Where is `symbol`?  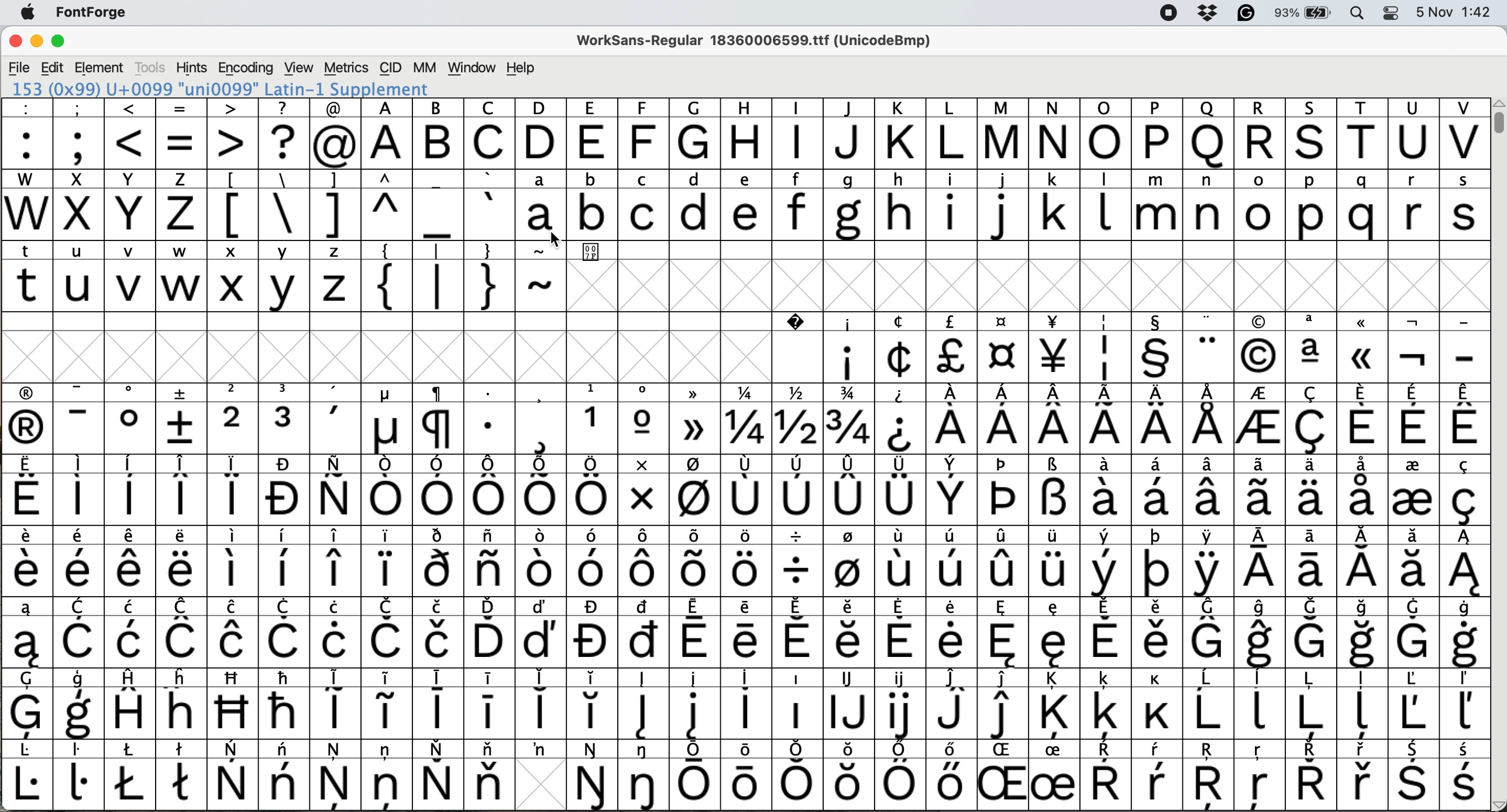 symbol is located at coordinates (955, 491).